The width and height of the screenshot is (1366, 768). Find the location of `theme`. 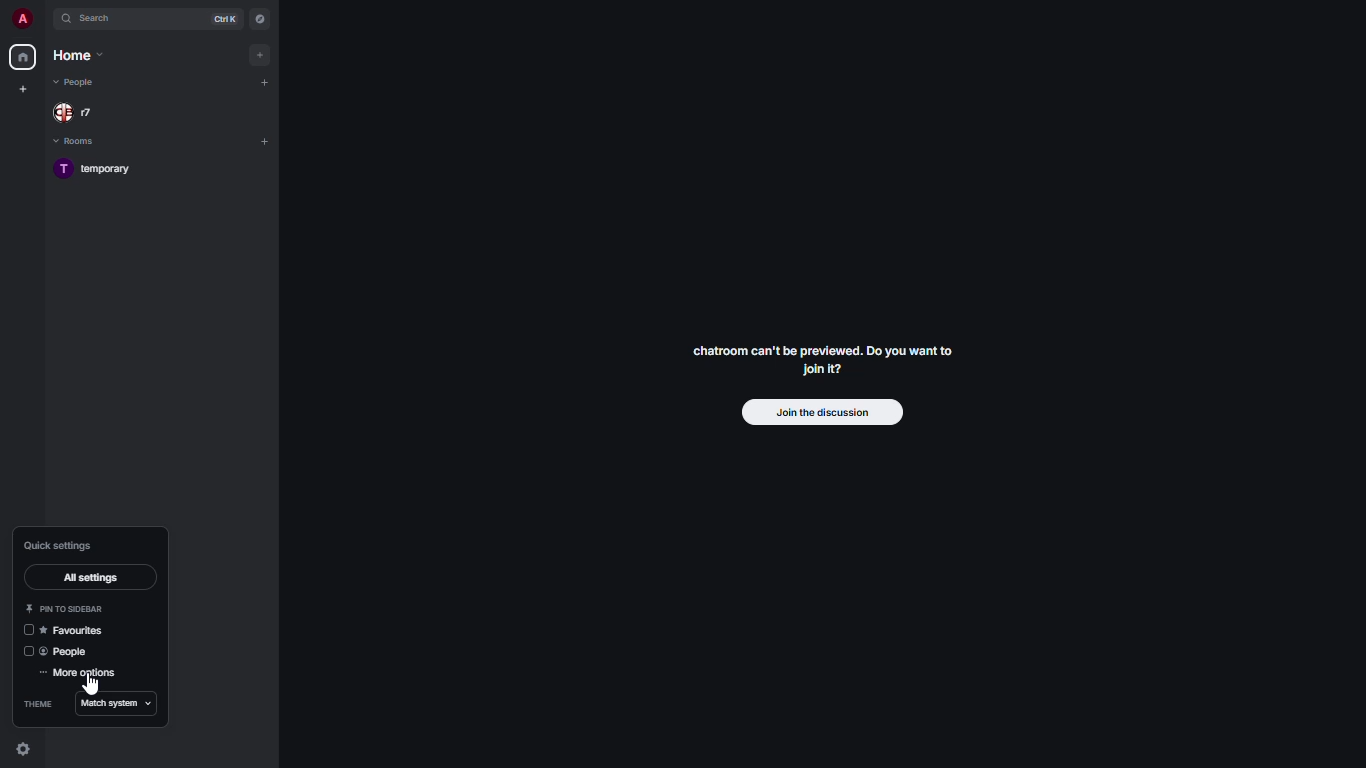

theme is located at coordinates (36, 702).